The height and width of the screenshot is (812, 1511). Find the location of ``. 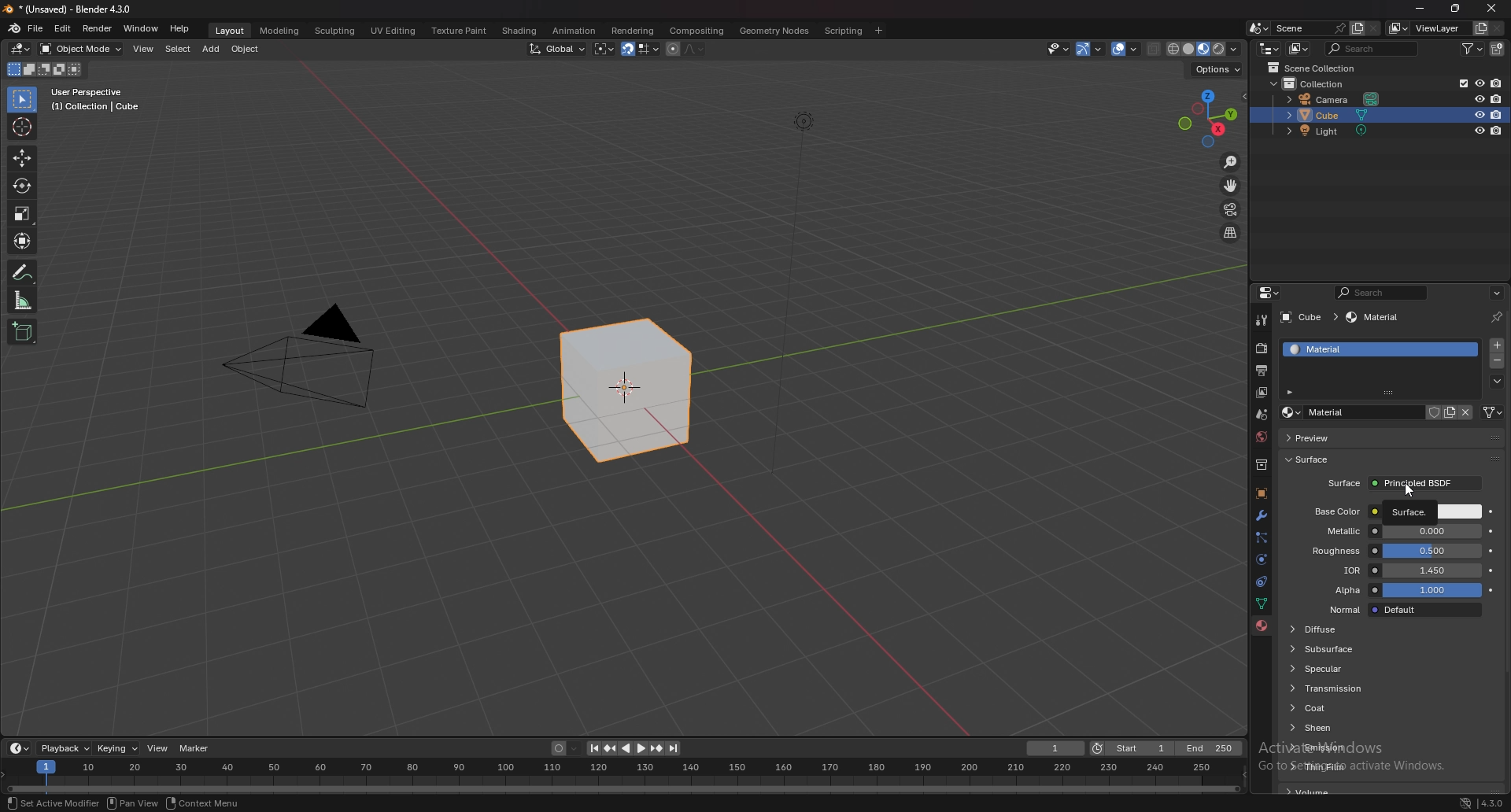

 is located at coordinates (1493, 10).